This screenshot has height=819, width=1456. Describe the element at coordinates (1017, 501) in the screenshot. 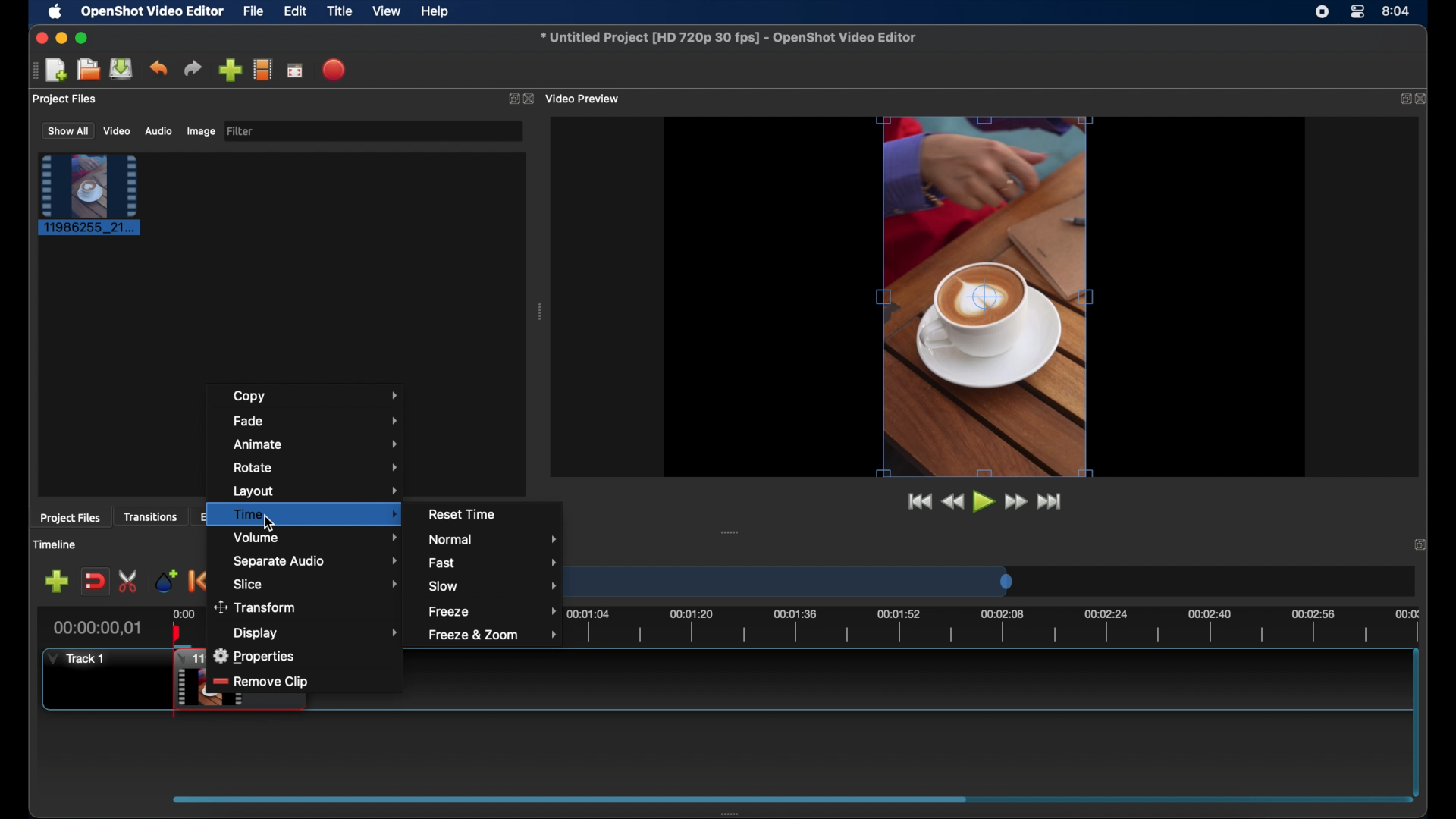

I see `fastfoward` at that location.